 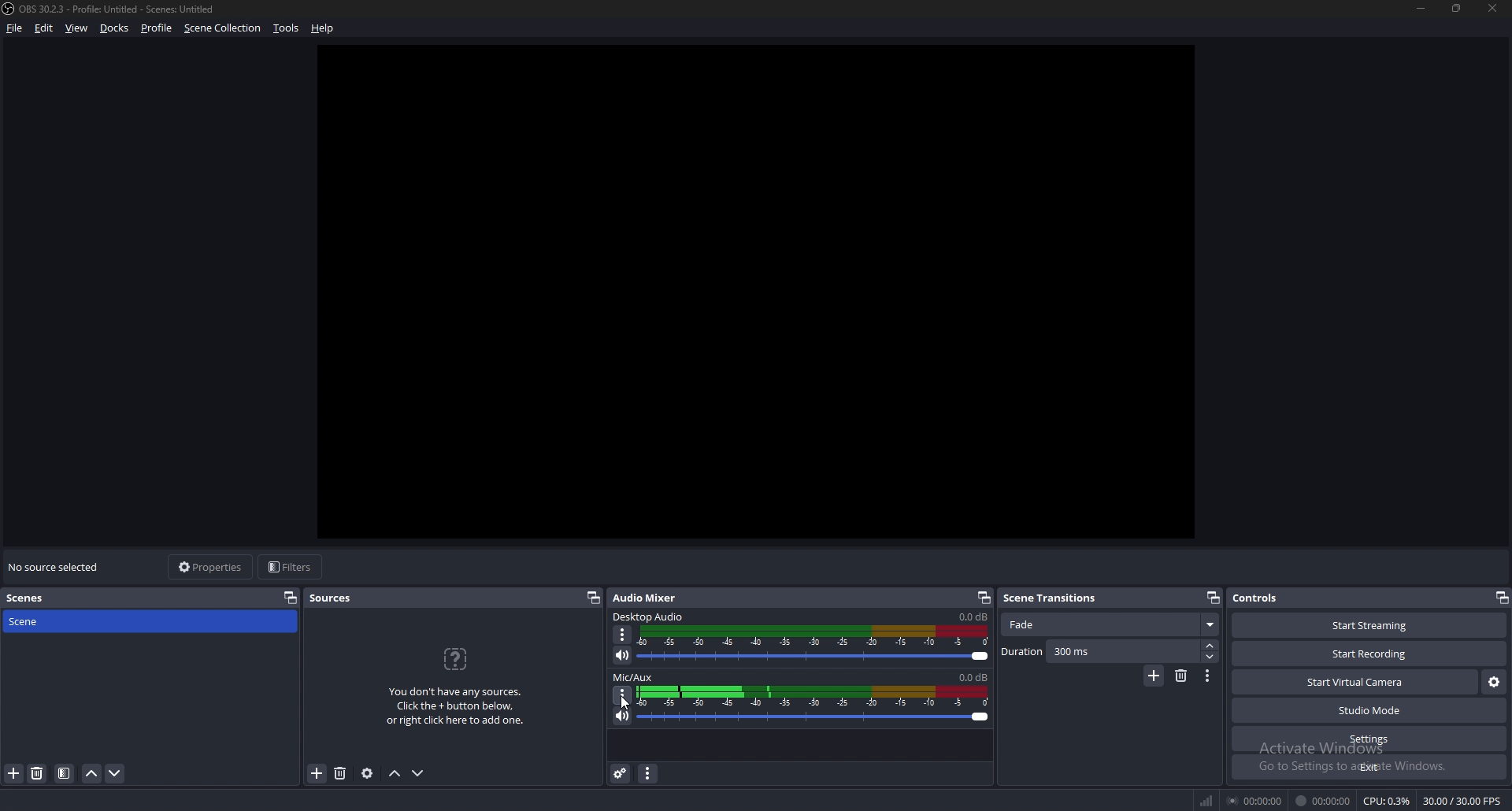 What do you see at coordinates (46, 621) in the screenshot?
I see `scene` at bounding box center [46, 621].